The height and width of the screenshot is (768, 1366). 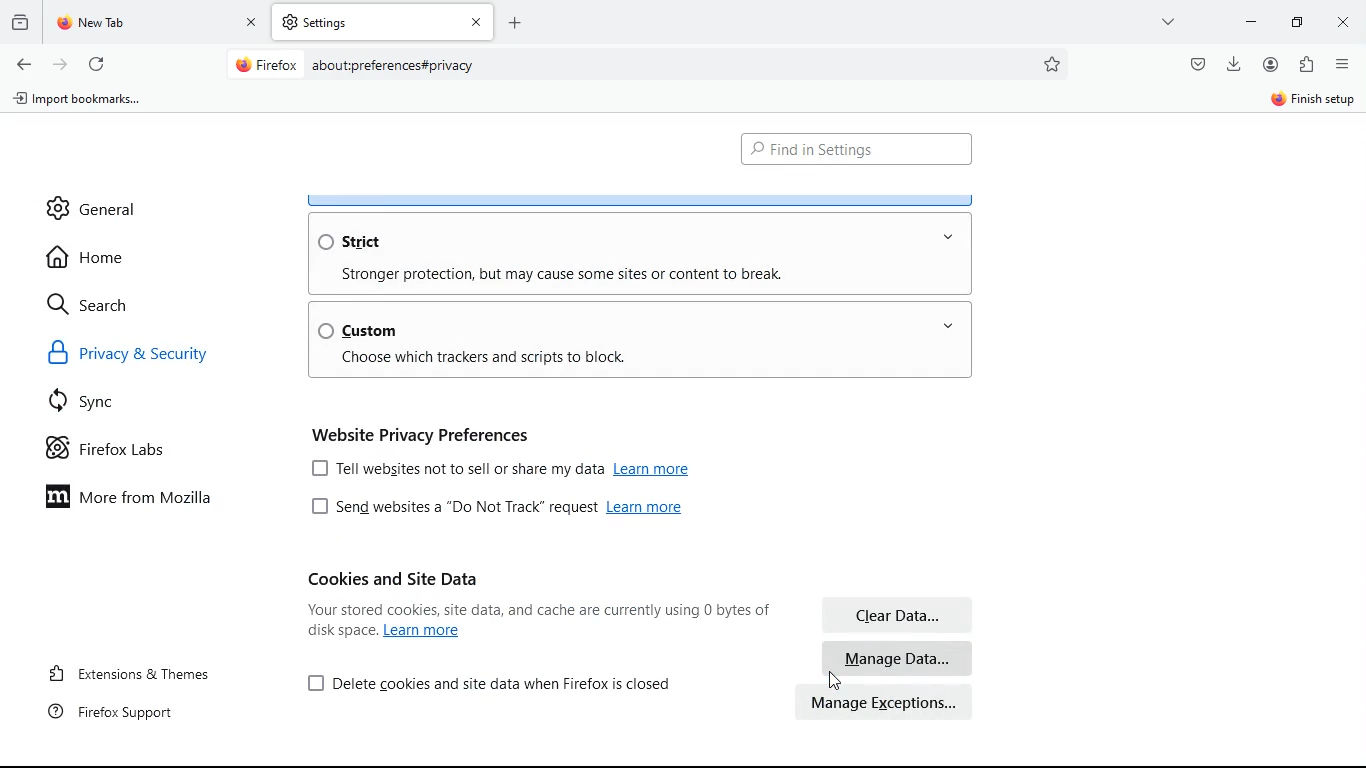 What do you see at coordinates (267, 64) in the screenshot?
I see `Firefox` at bounding box center [267, 64].